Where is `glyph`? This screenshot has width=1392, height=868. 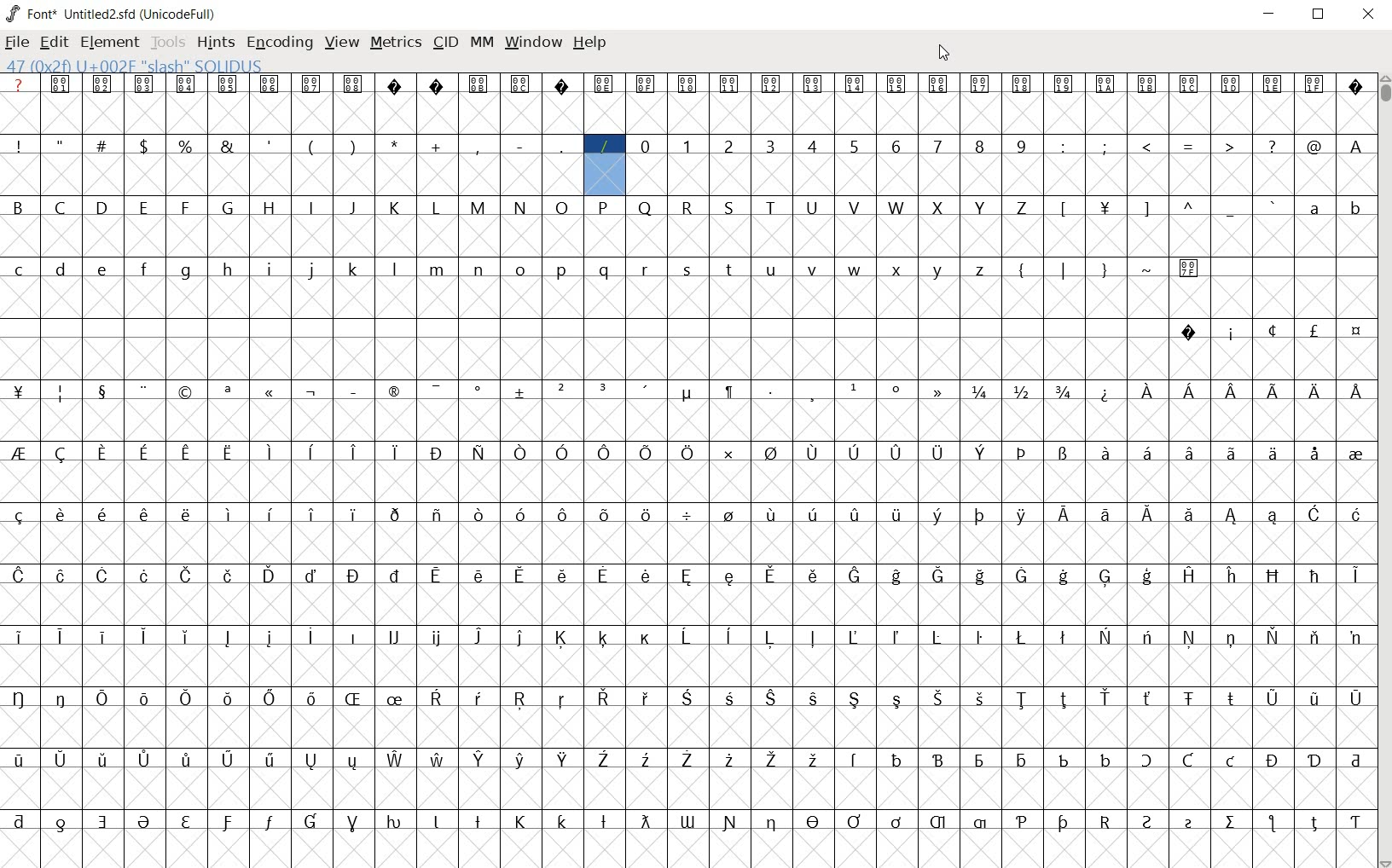
glyph is located at coordinates (476, 147).